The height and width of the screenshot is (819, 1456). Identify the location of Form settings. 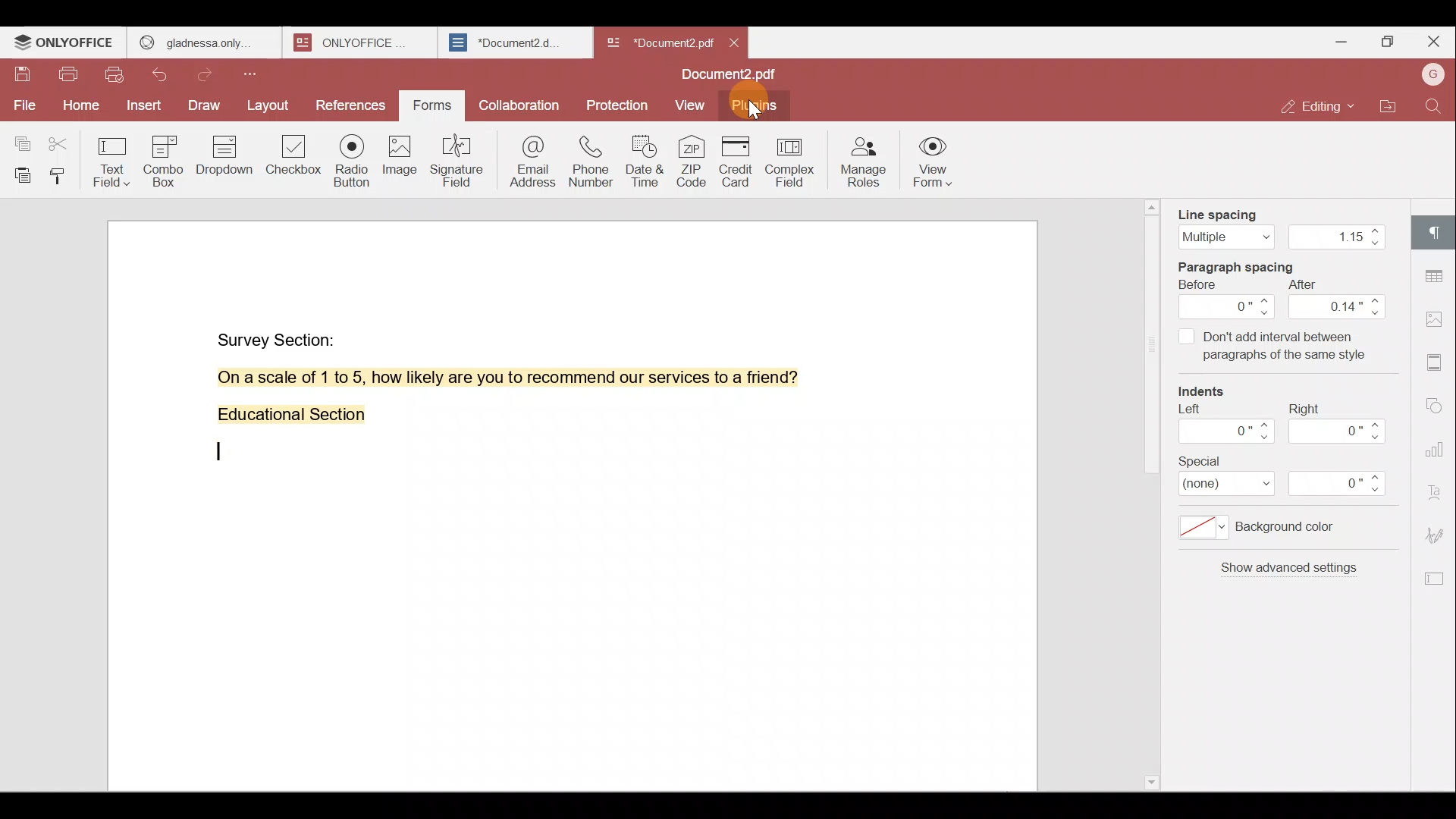
(1429, 579).